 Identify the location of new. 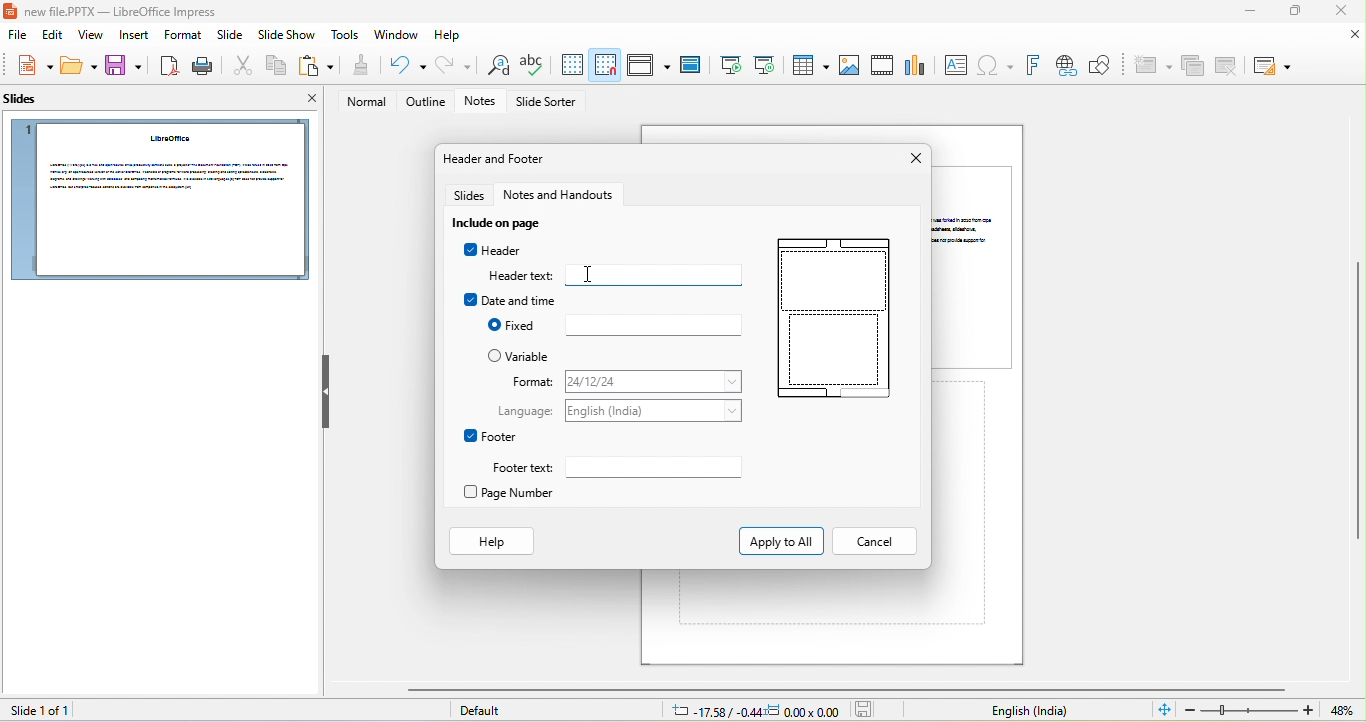
(30, 66).